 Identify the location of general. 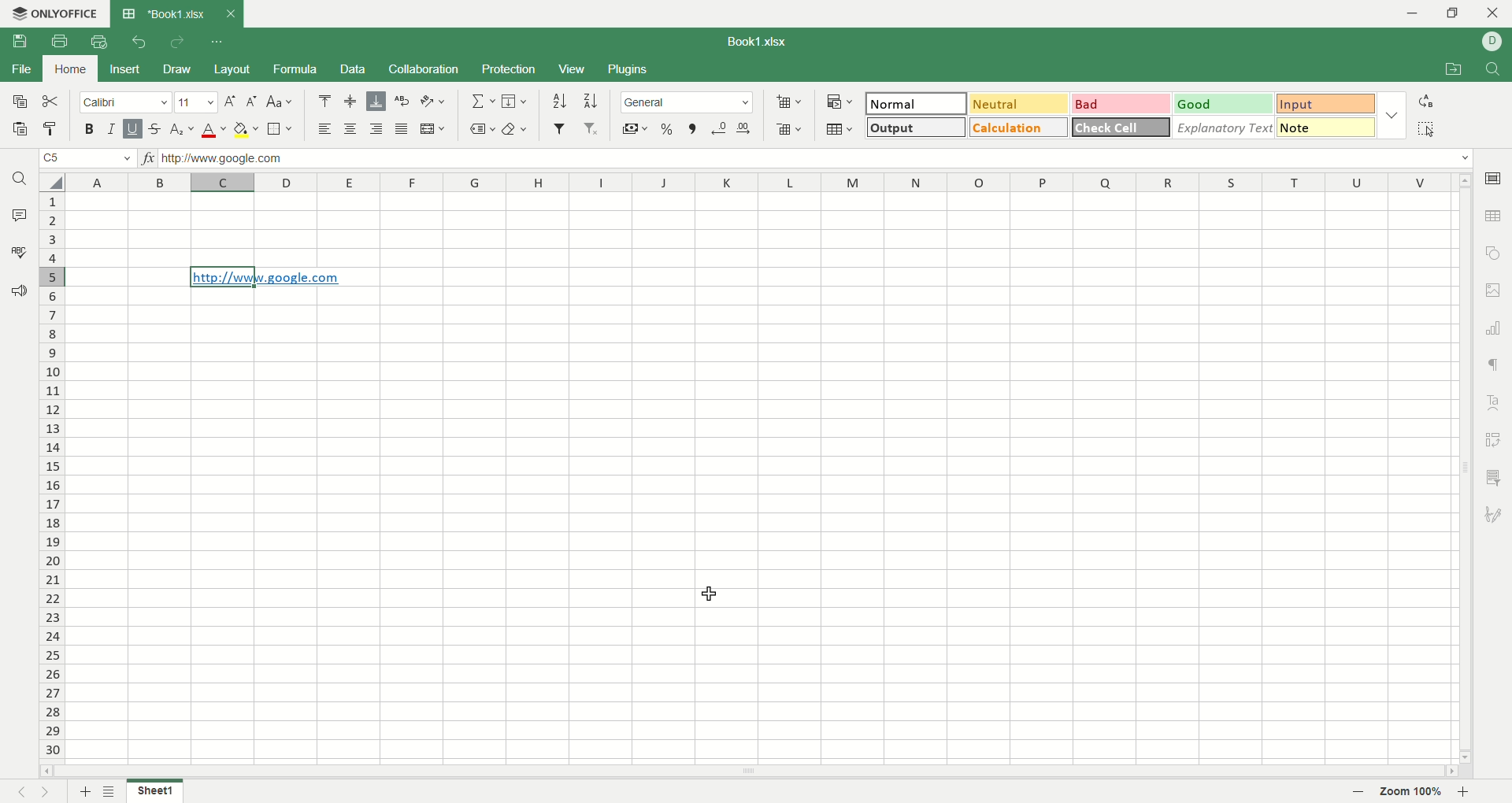
(688, 102).